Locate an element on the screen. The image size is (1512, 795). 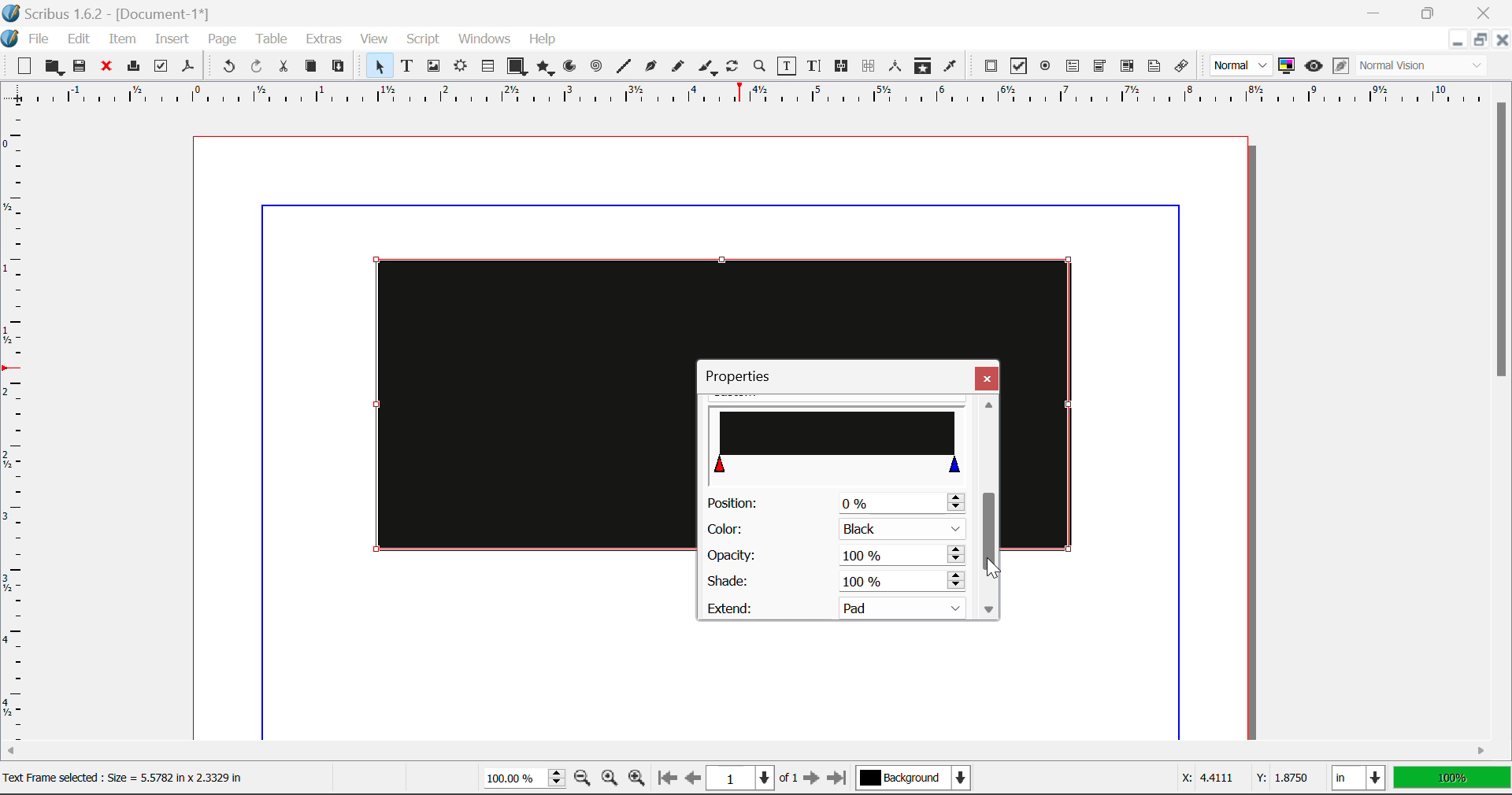
Opacity is located at coordinates (835, 556).